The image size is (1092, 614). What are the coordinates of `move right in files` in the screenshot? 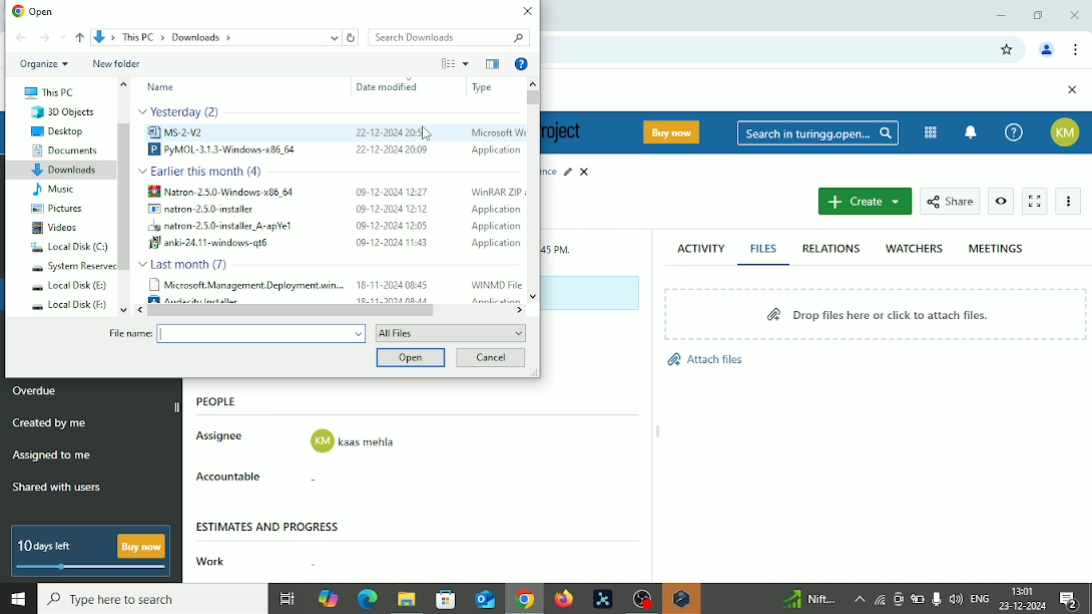 It's located at (517, 310).